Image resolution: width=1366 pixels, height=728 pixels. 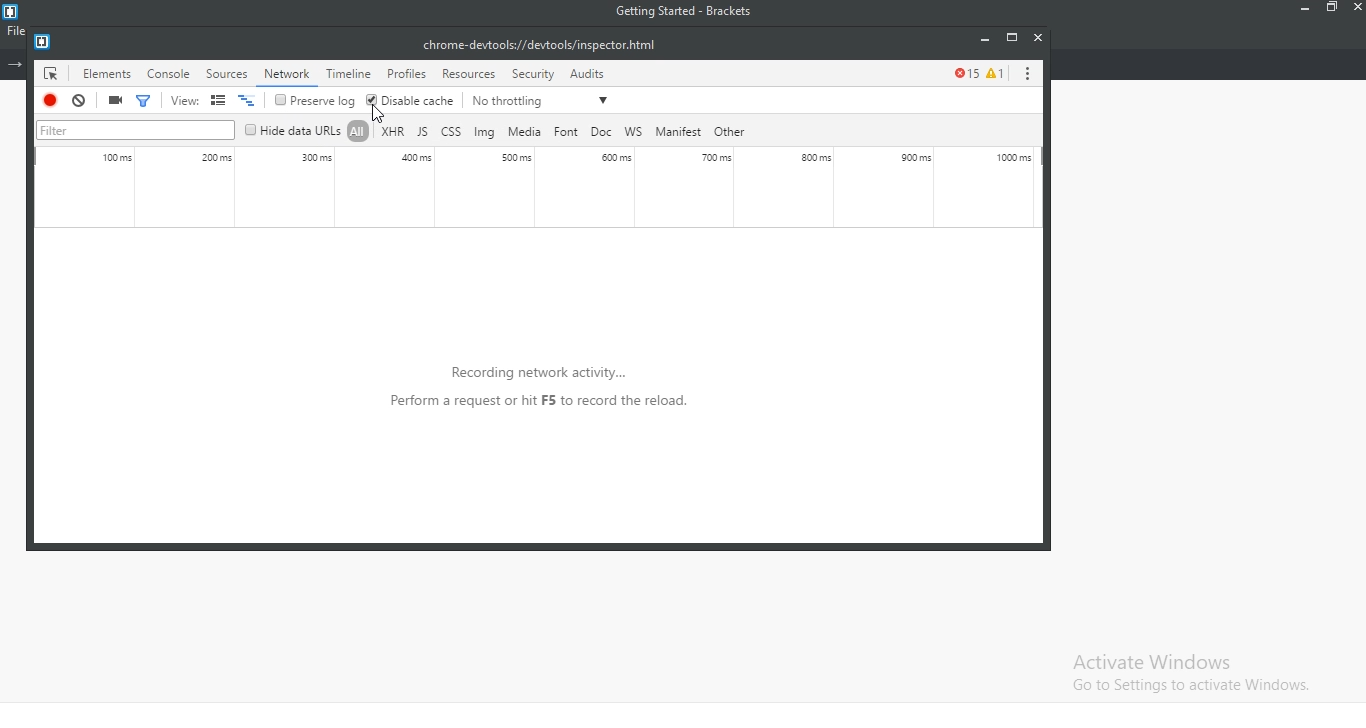 What do you see at coordinates (138, 129) in the screenshot?
I see `filter` at bounding box center [138, 129].